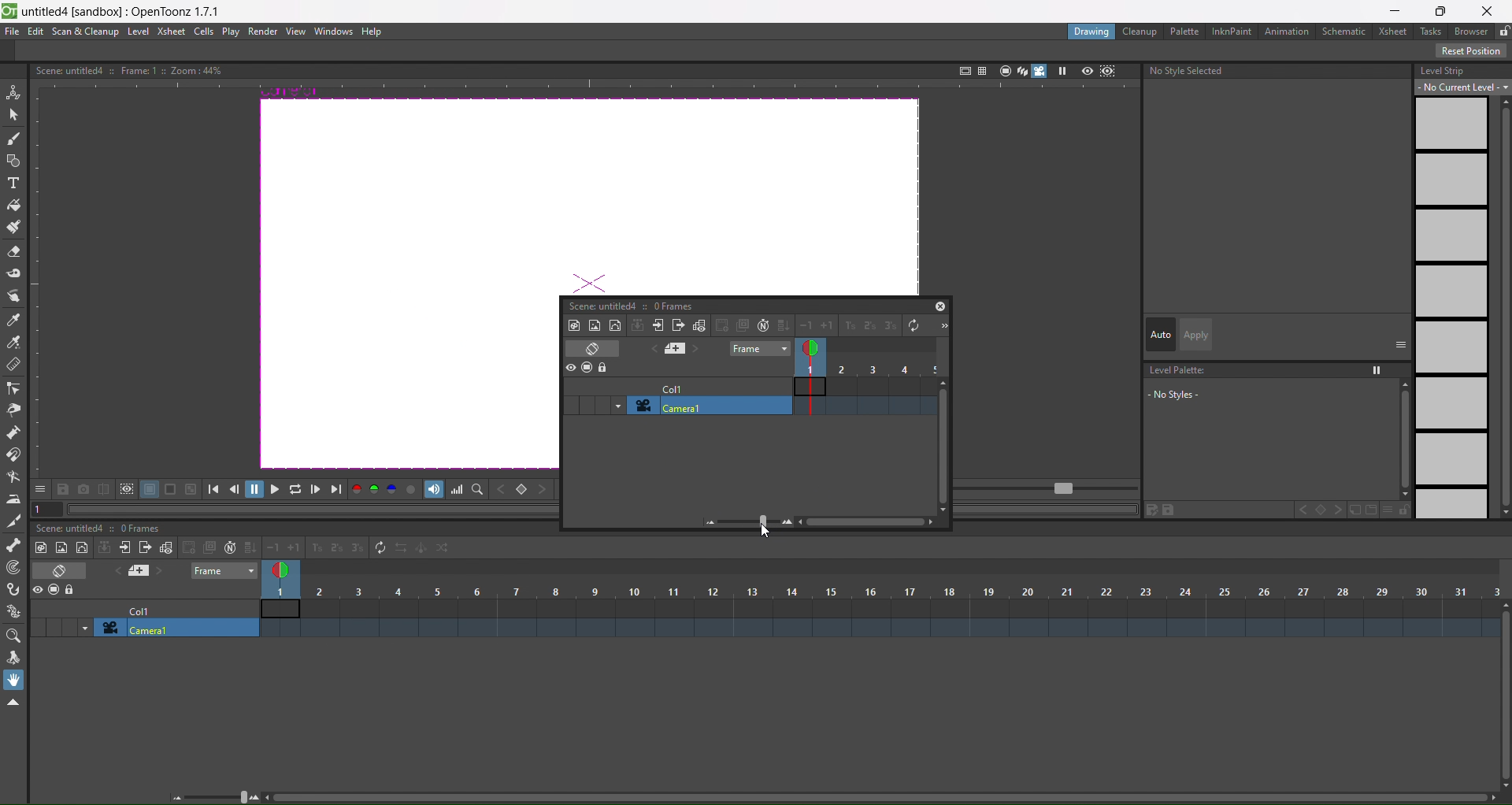 The width and height of the screenshot is (1512, 805). I want to click on tape tool, so click(14, 273).